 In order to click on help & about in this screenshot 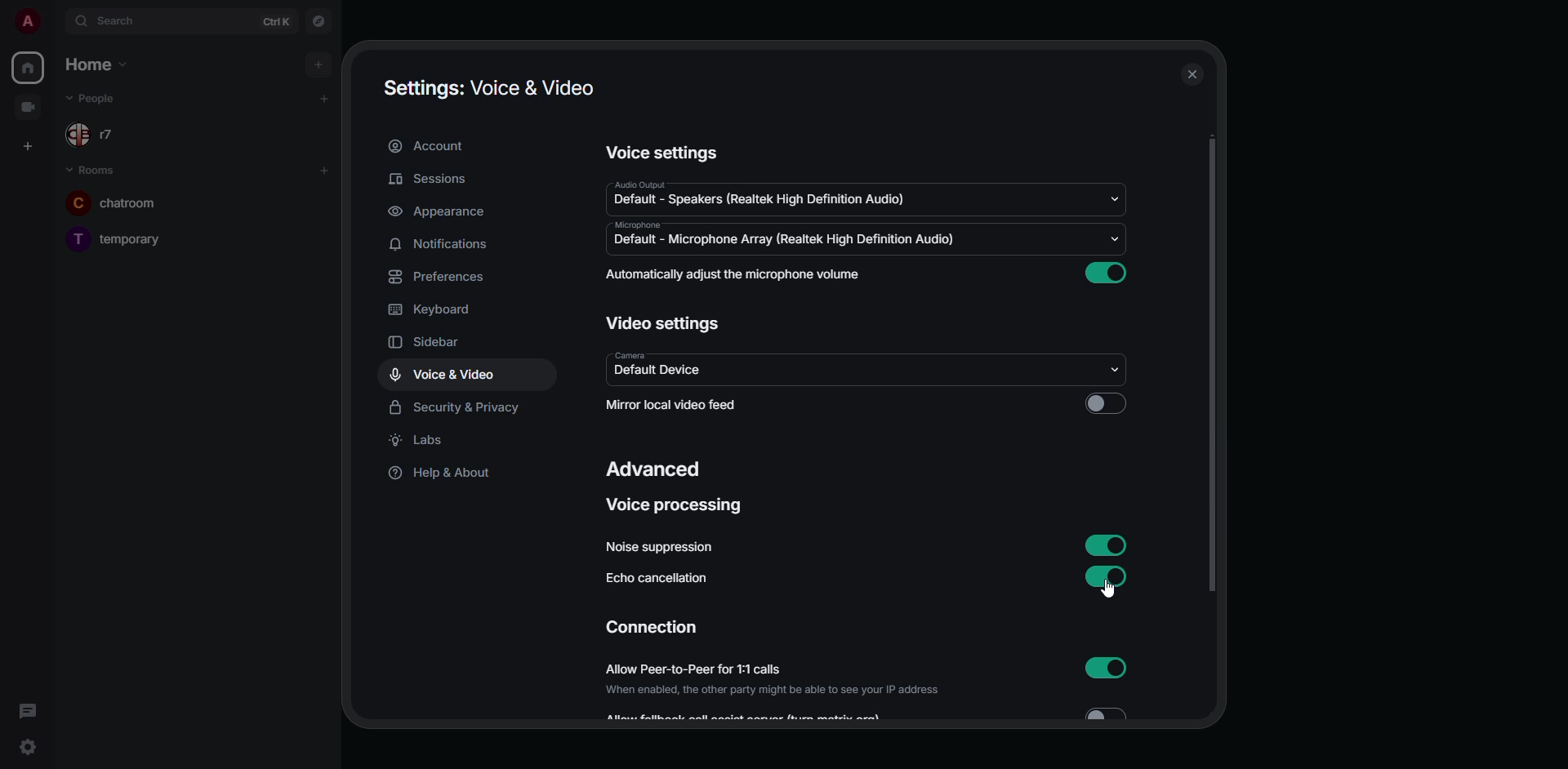, I will do `click(439, 473)`.